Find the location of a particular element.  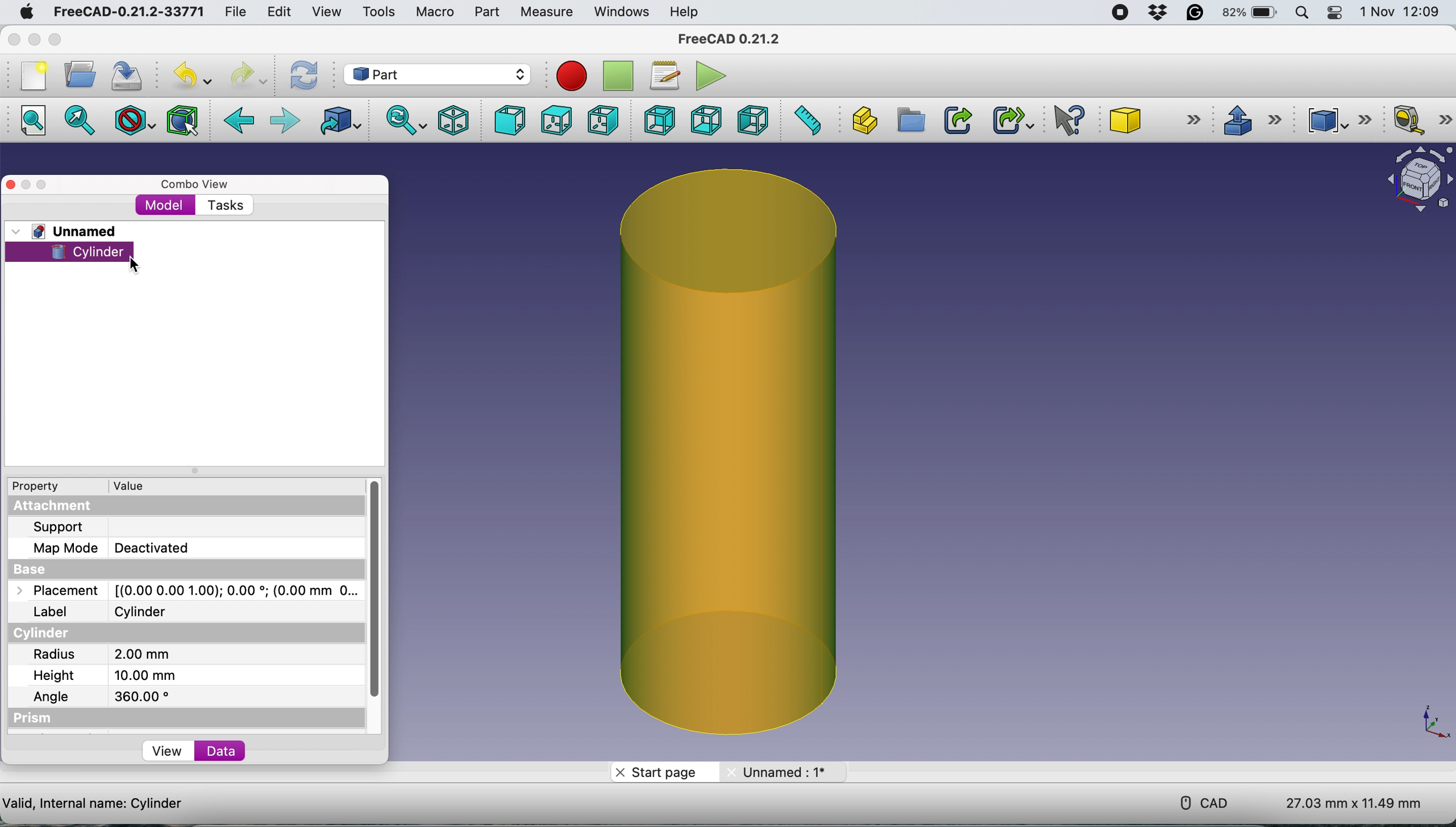

macro is located at coordinates (438, 13).